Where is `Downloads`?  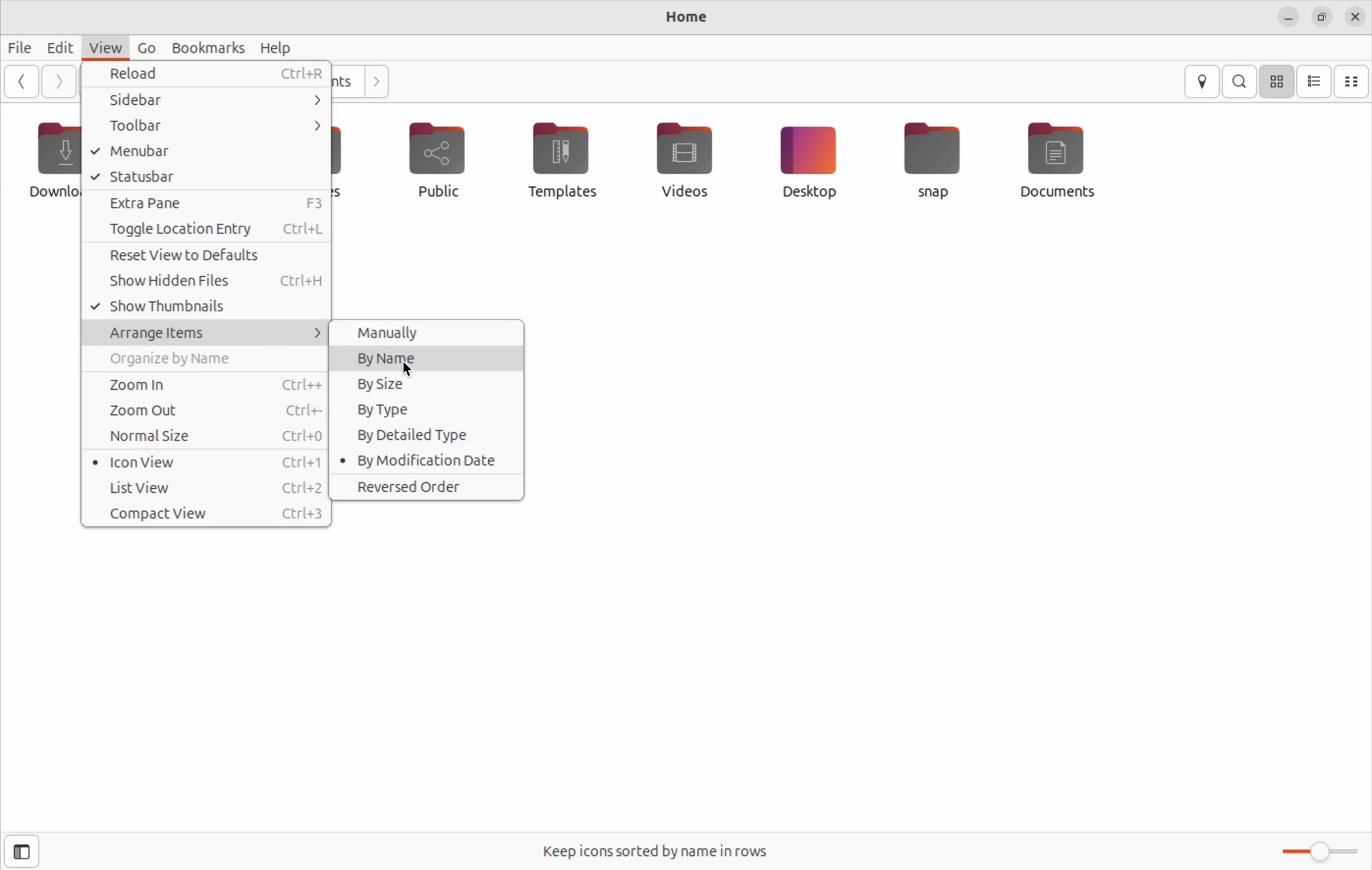 Downloads is located at coordinates (49, 162).